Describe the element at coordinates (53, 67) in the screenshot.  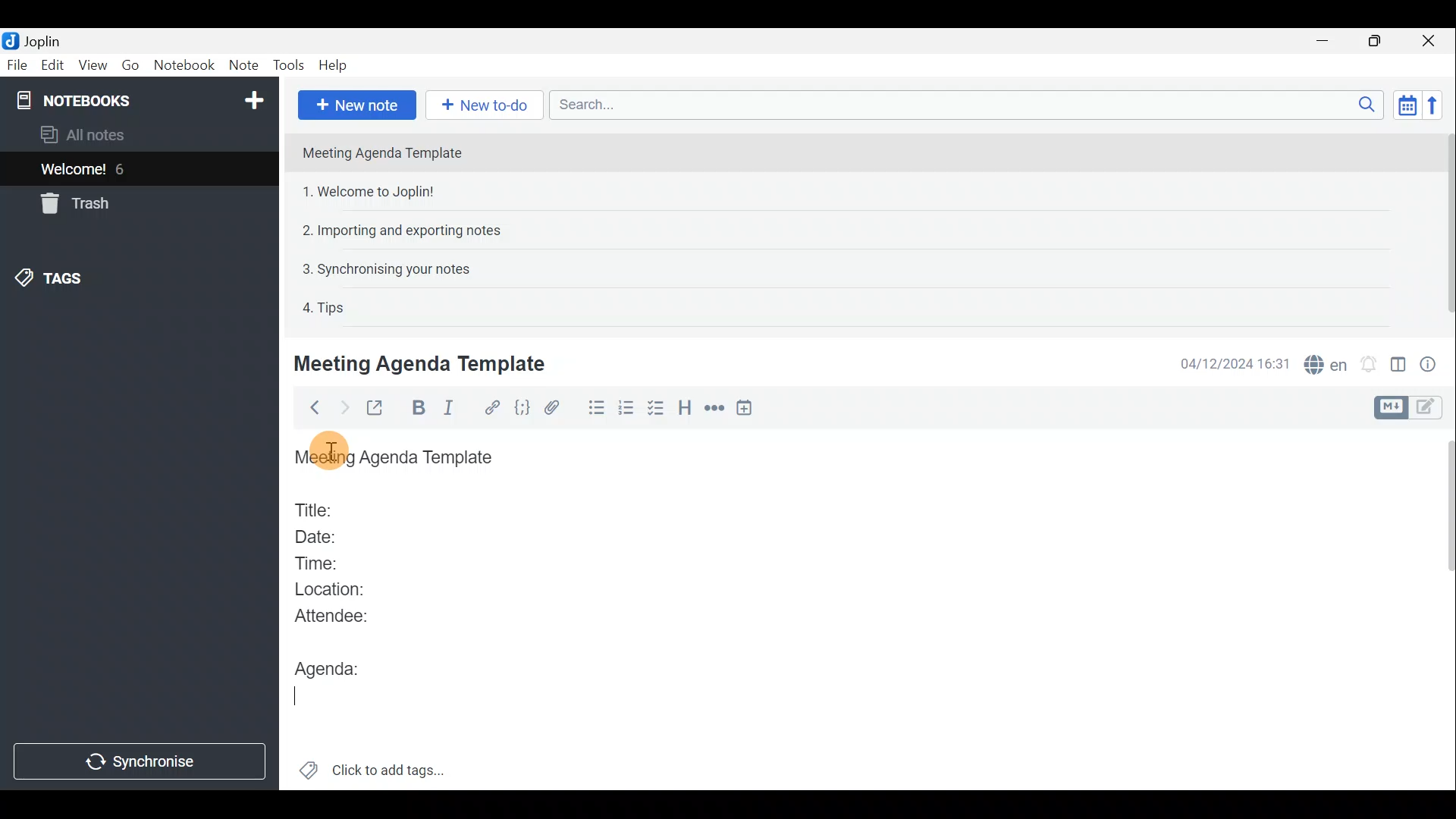
I see `Edit` at that location.